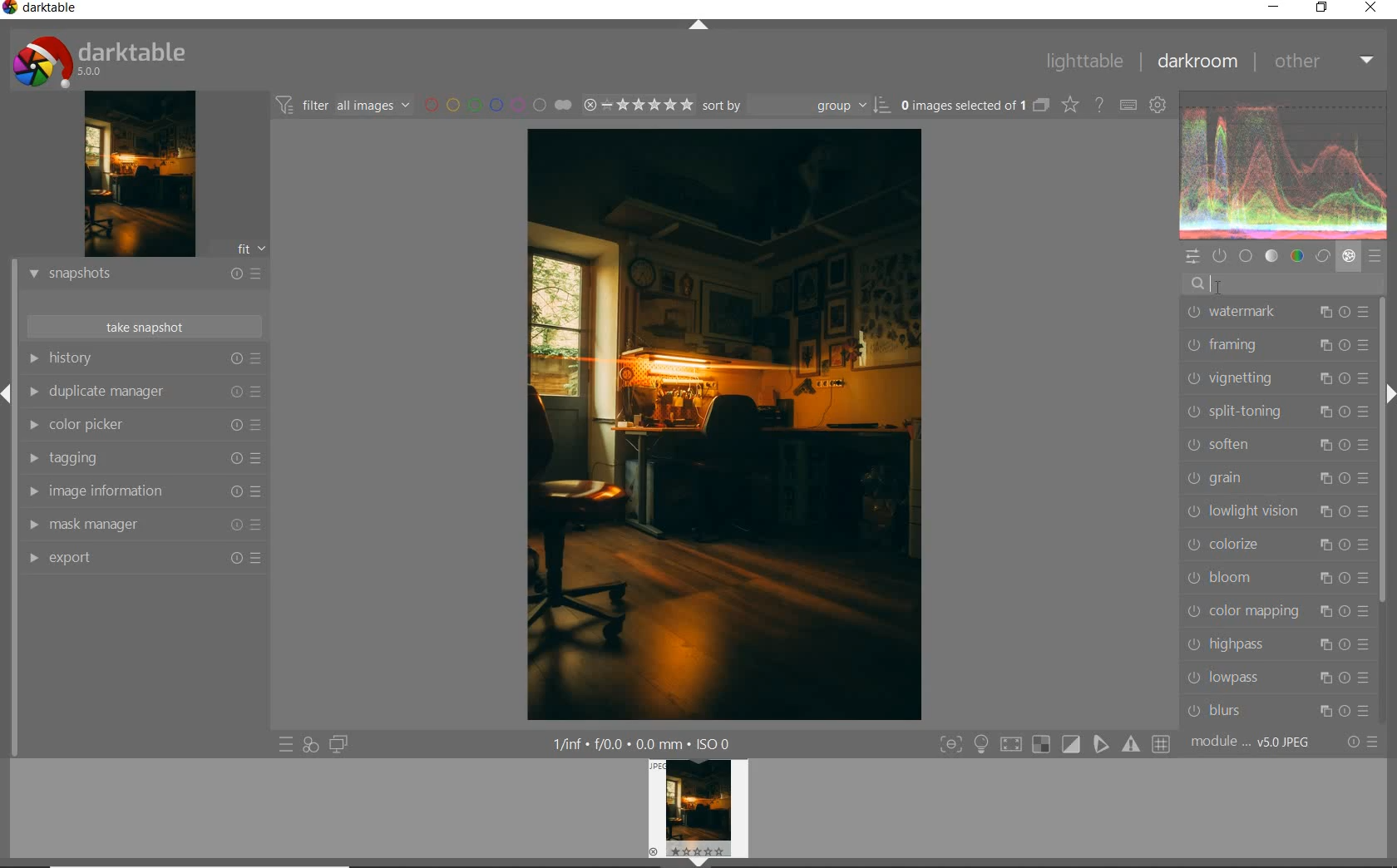 The width and height of the screenshot is (1397, 868). I want to click on expand/collapse, so click(698, 26).